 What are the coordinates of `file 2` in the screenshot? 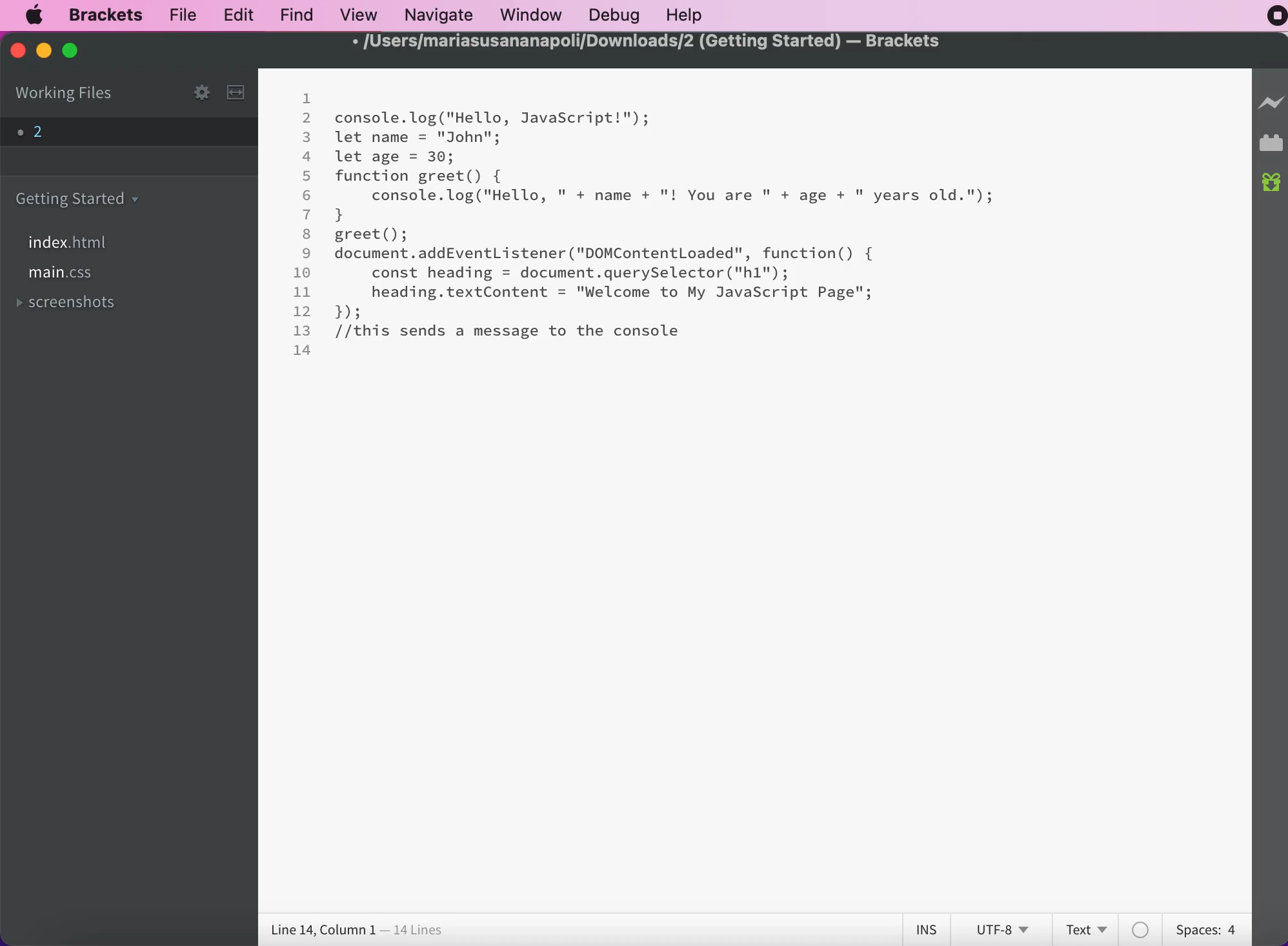 It's located at (38, 134).